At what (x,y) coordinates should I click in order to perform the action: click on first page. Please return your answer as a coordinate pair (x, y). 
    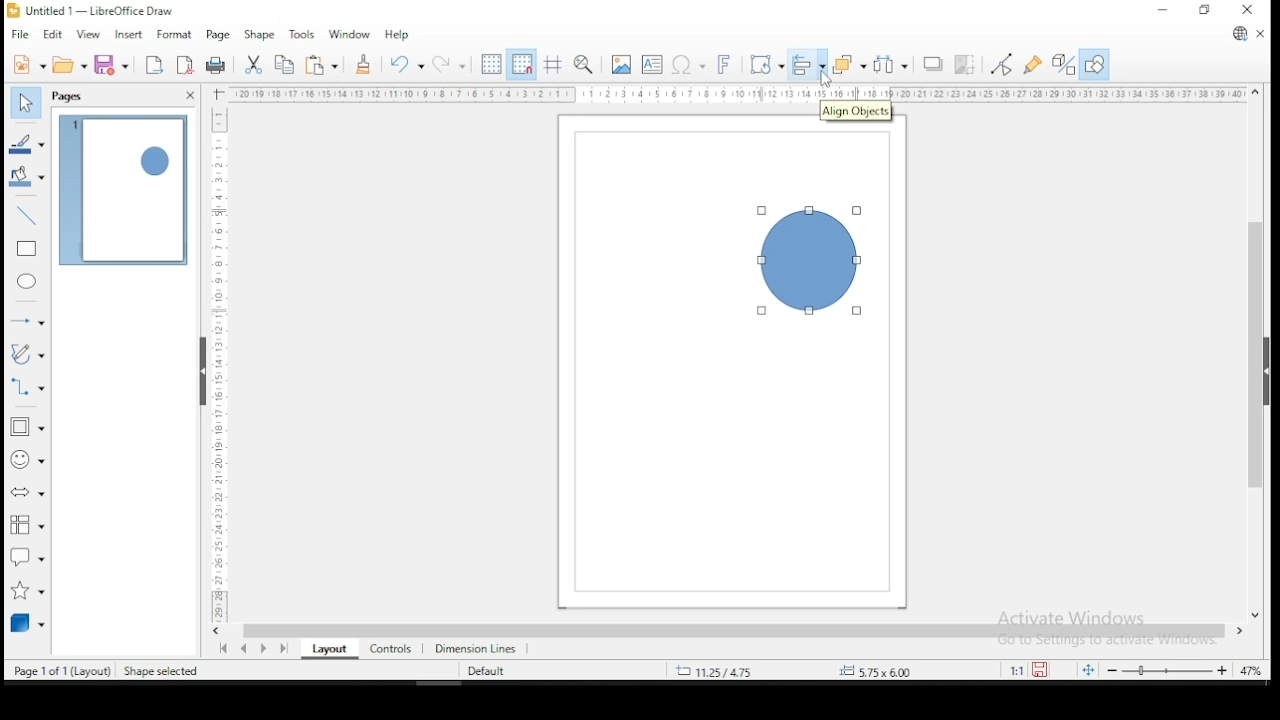
    Looking at the image, I should click on (221, 649).